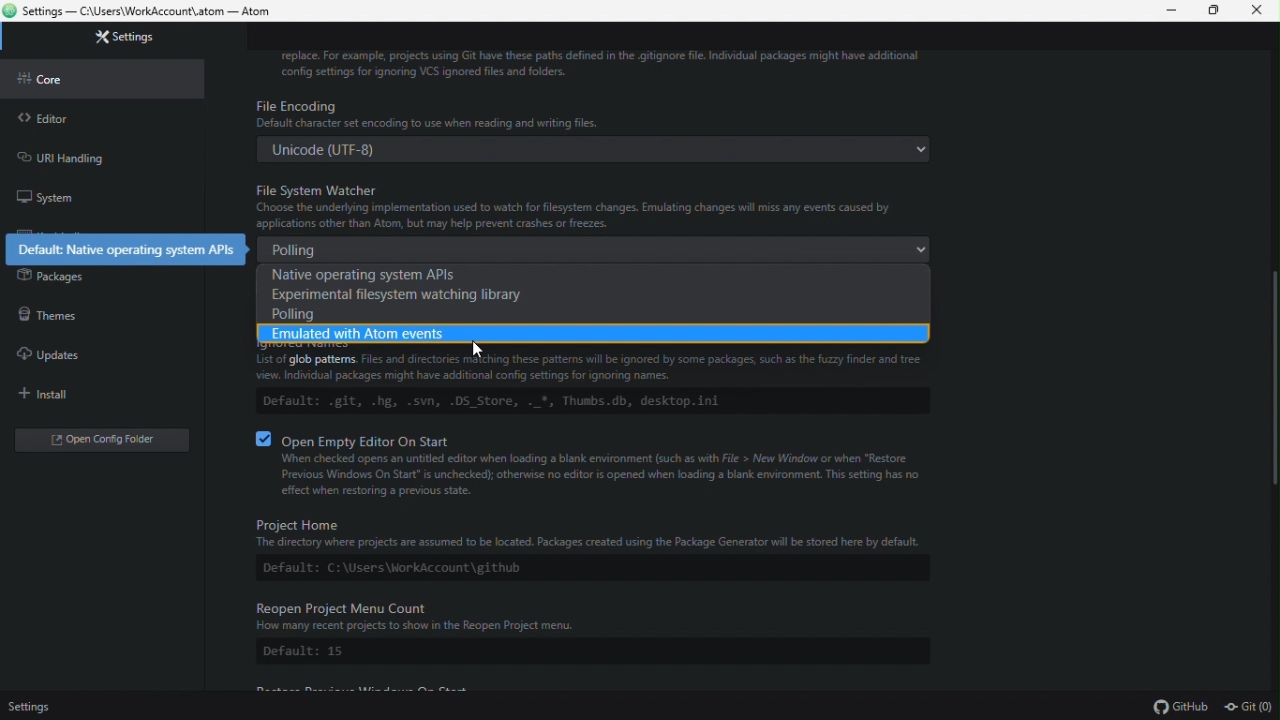 This screenshot has height=720, width=1280. What do you see at coordinates (92, 354) in the screenshot?
I see `Updates` at bounding box center [92, 354].